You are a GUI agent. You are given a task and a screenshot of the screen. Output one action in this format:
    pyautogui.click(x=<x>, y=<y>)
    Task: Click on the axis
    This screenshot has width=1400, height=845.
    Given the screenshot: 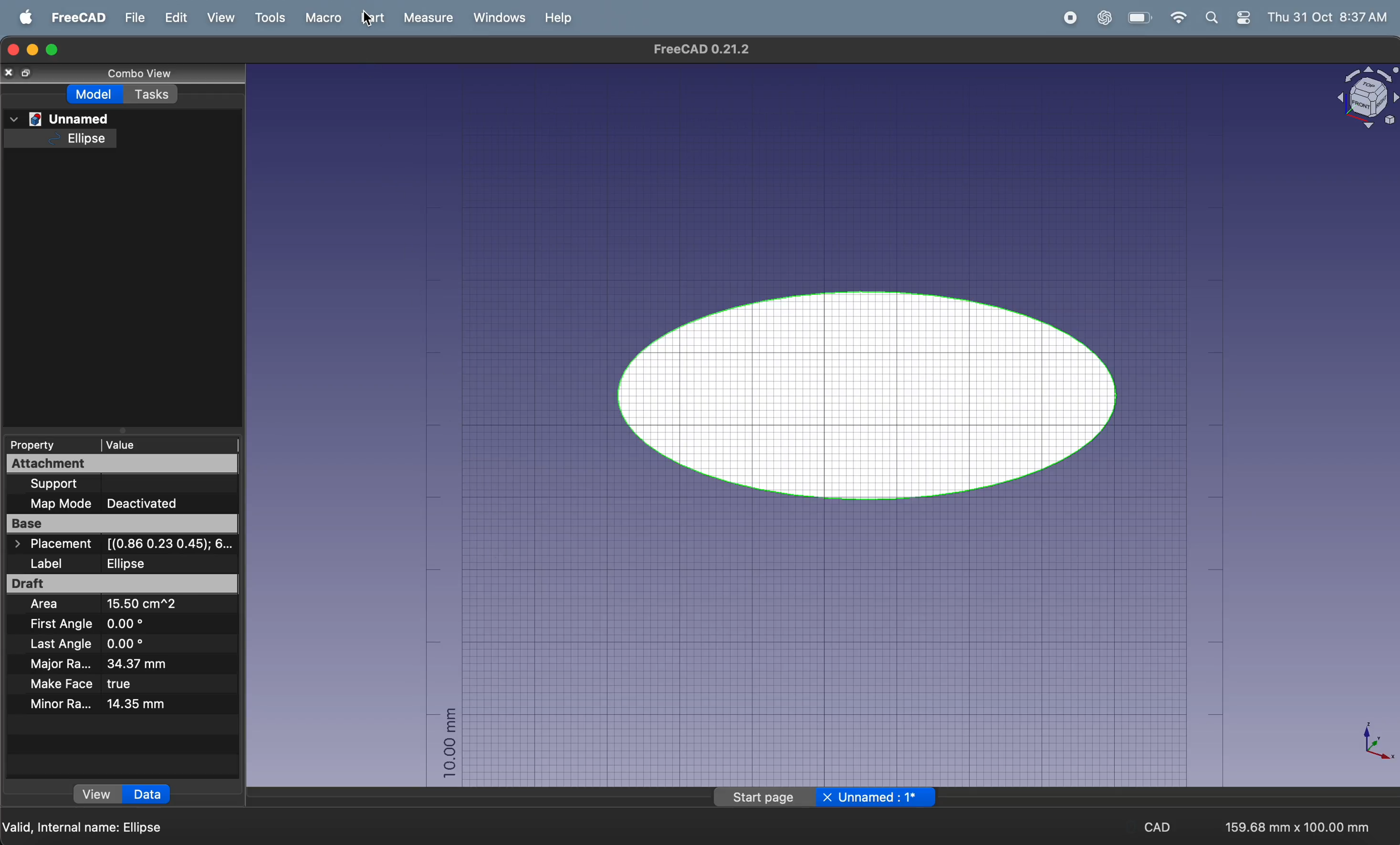 What is the action you would take?
    pyautogui.click(x=1368, y=743)
    